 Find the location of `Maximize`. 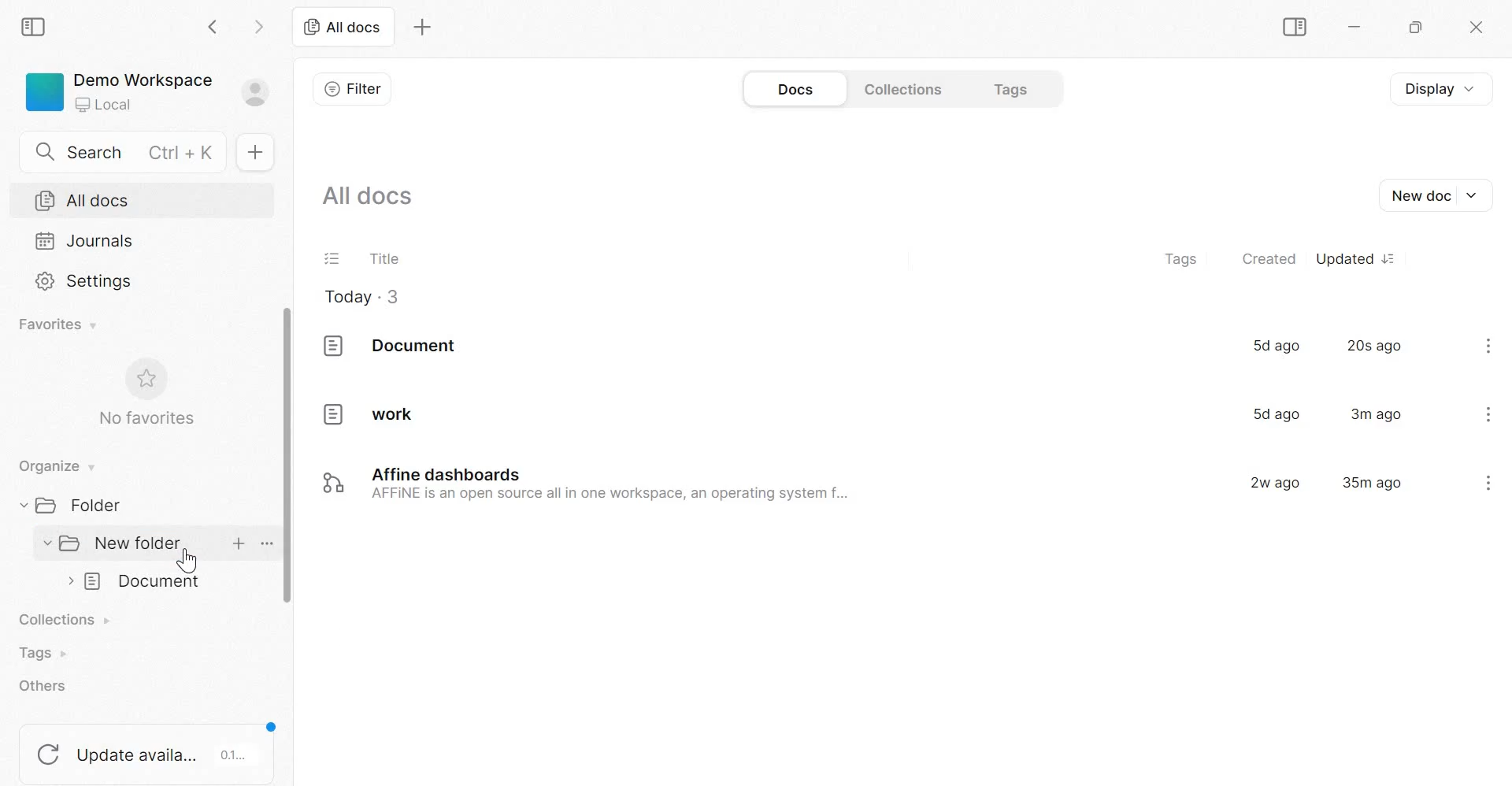

Maximize is located at coordinates (1420, 27).